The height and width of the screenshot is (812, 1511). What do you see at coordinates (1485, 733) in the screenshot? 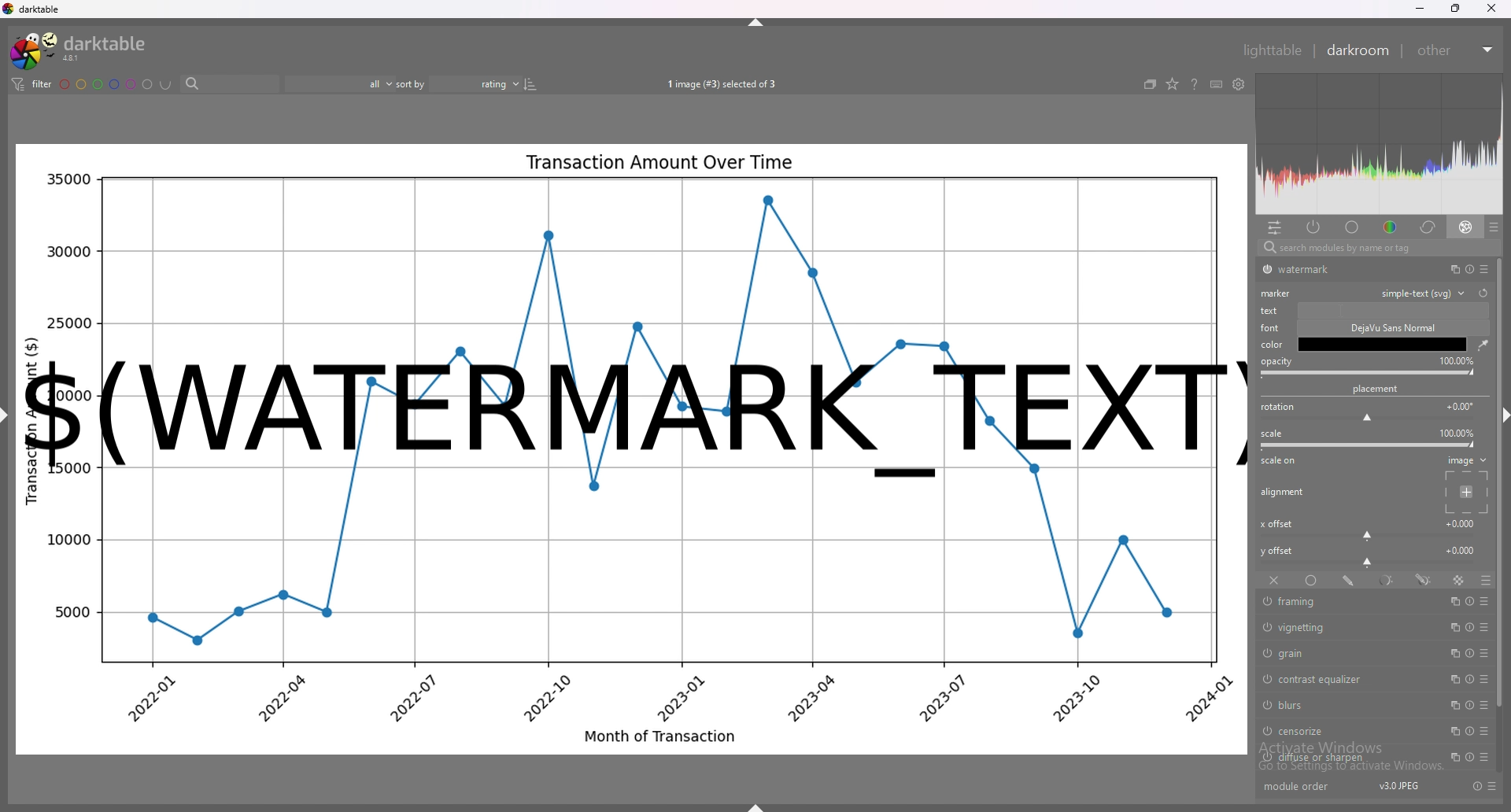
I see `presets` at bounding box center [1485, 733].